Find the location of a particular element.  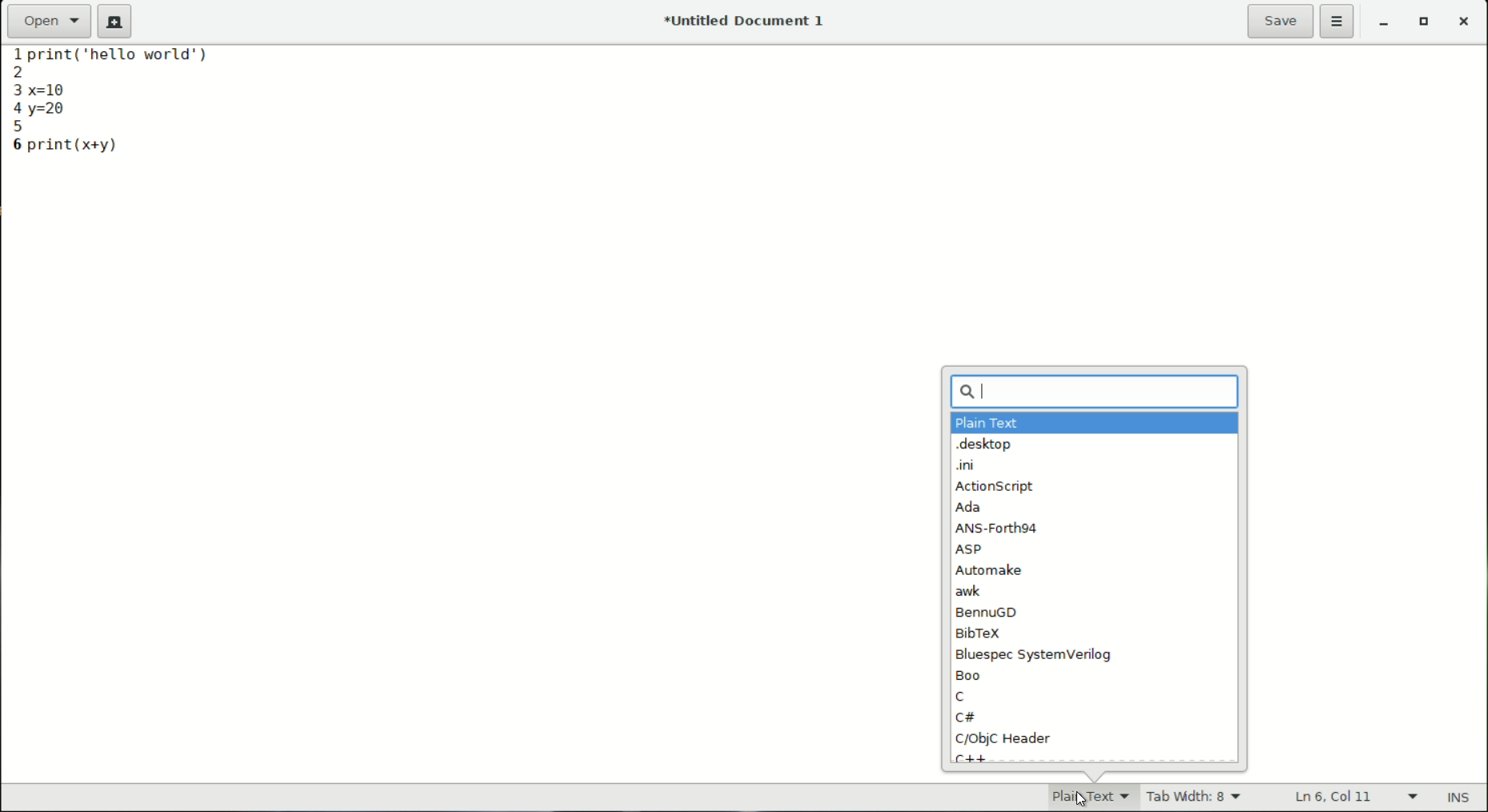

actionscript is located at coordinates (995, 488).